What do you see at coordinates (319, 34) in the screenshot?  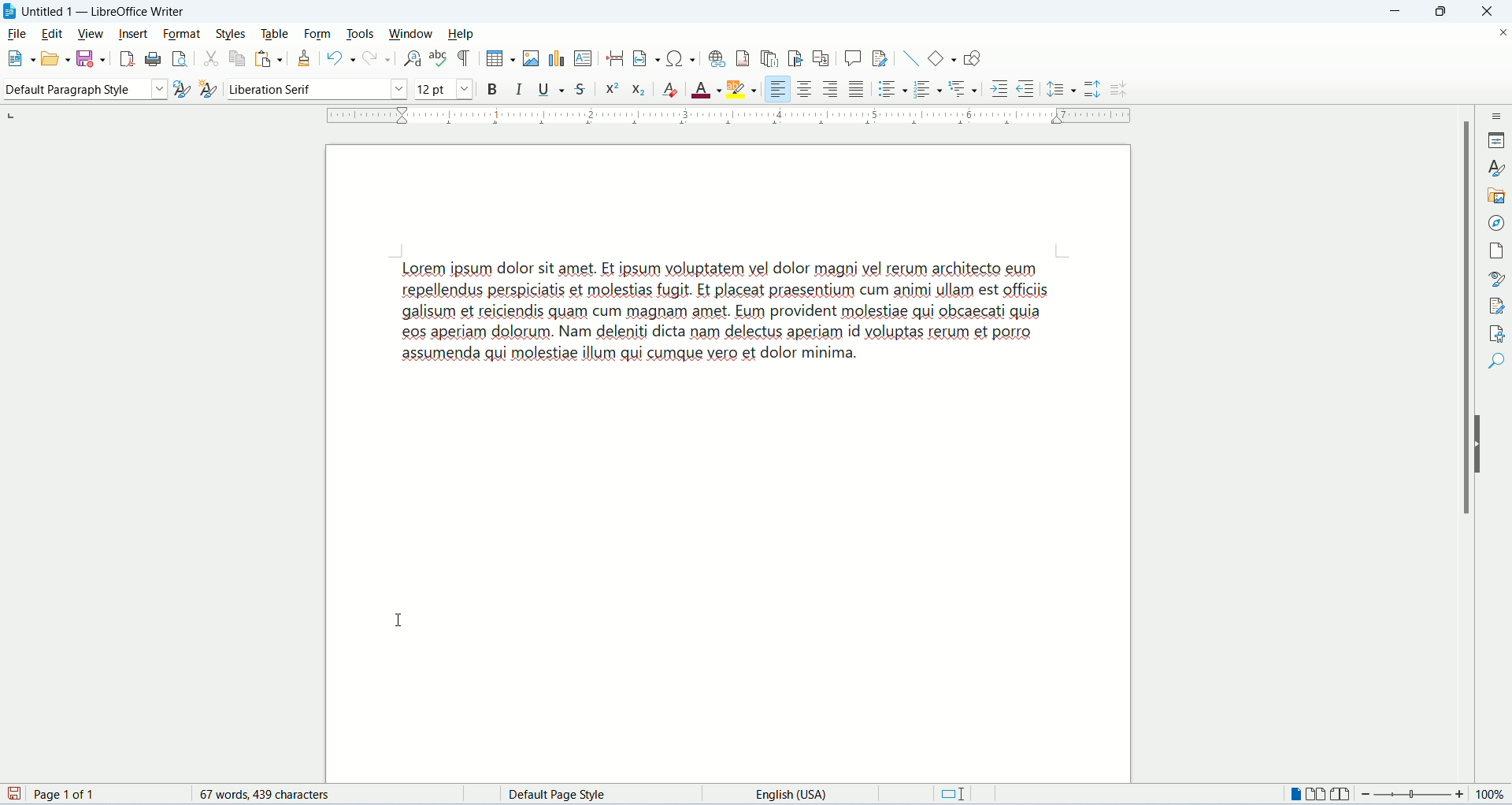 I see `form` at bounding box center [319, 34].